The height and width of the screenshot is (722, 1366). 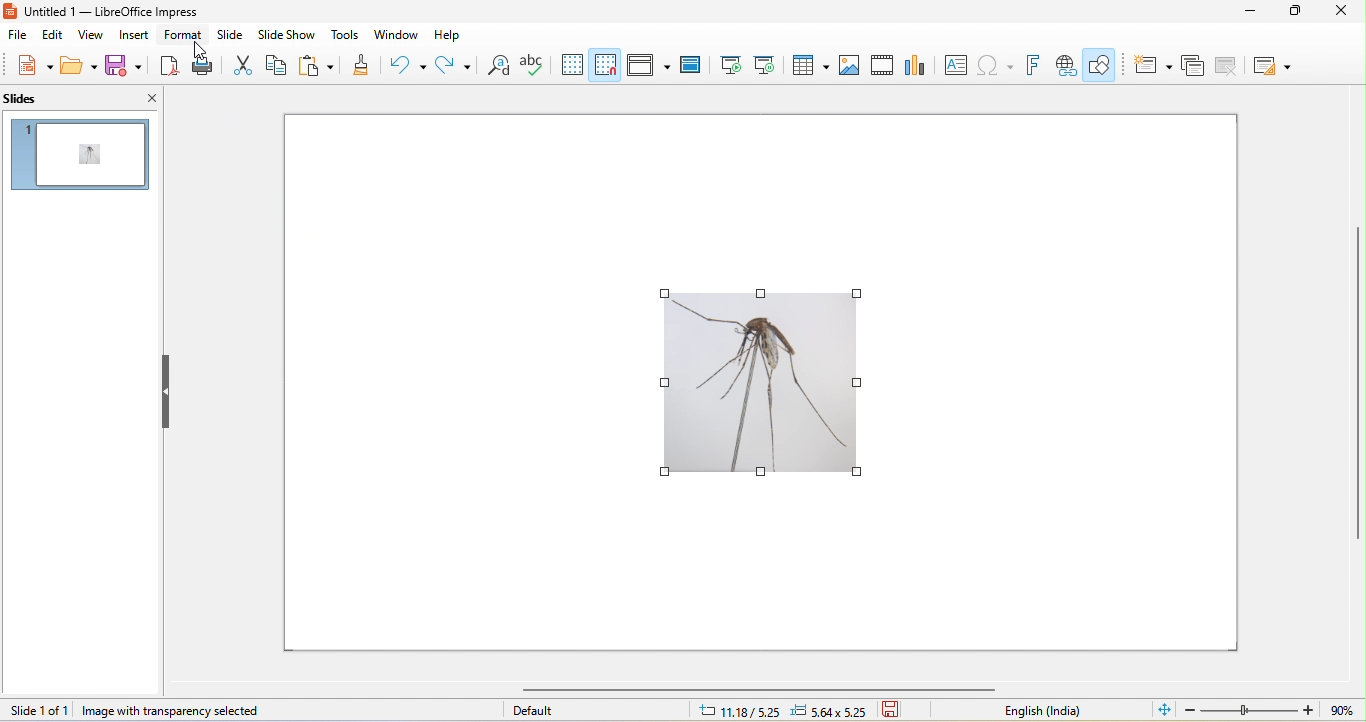 What do you see at coordinates (149, 99) in the screenshot?
I see `close` at bounding box center [149, 99].